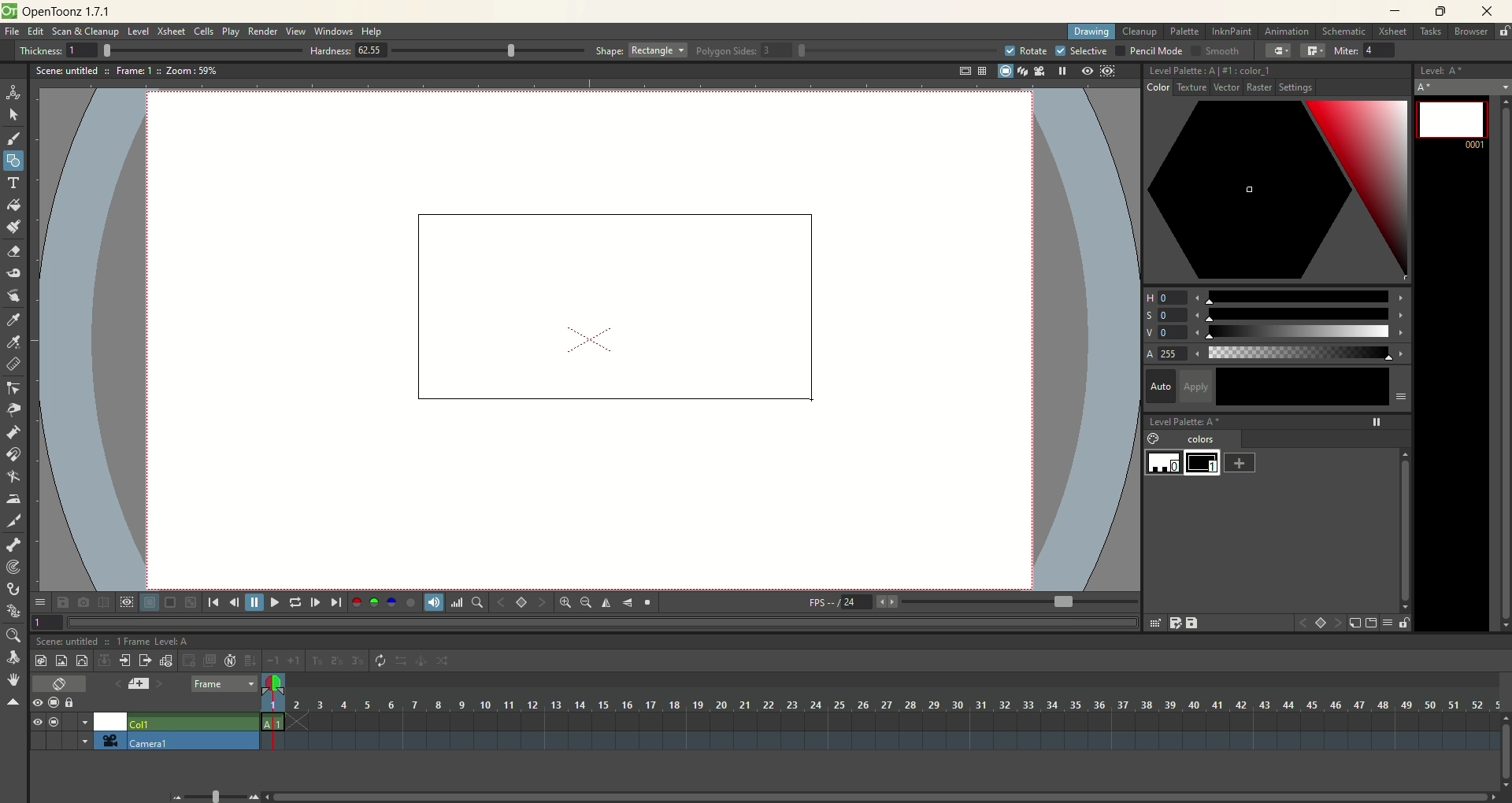 The width and height of the screenshot is (1512, 803). I want to click on auto input cell number, so click(231, 661).